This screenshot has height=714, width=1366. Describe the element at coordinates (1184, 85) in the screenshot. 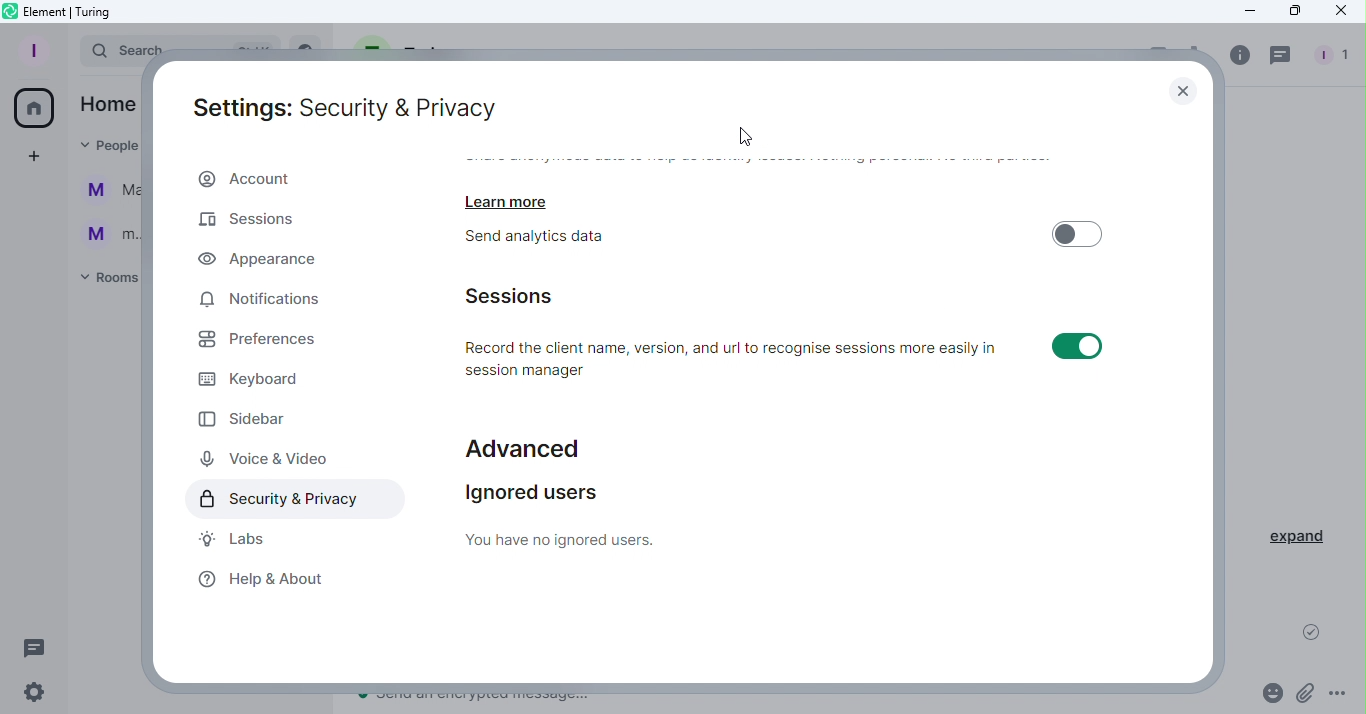

I see `Close` at that location.